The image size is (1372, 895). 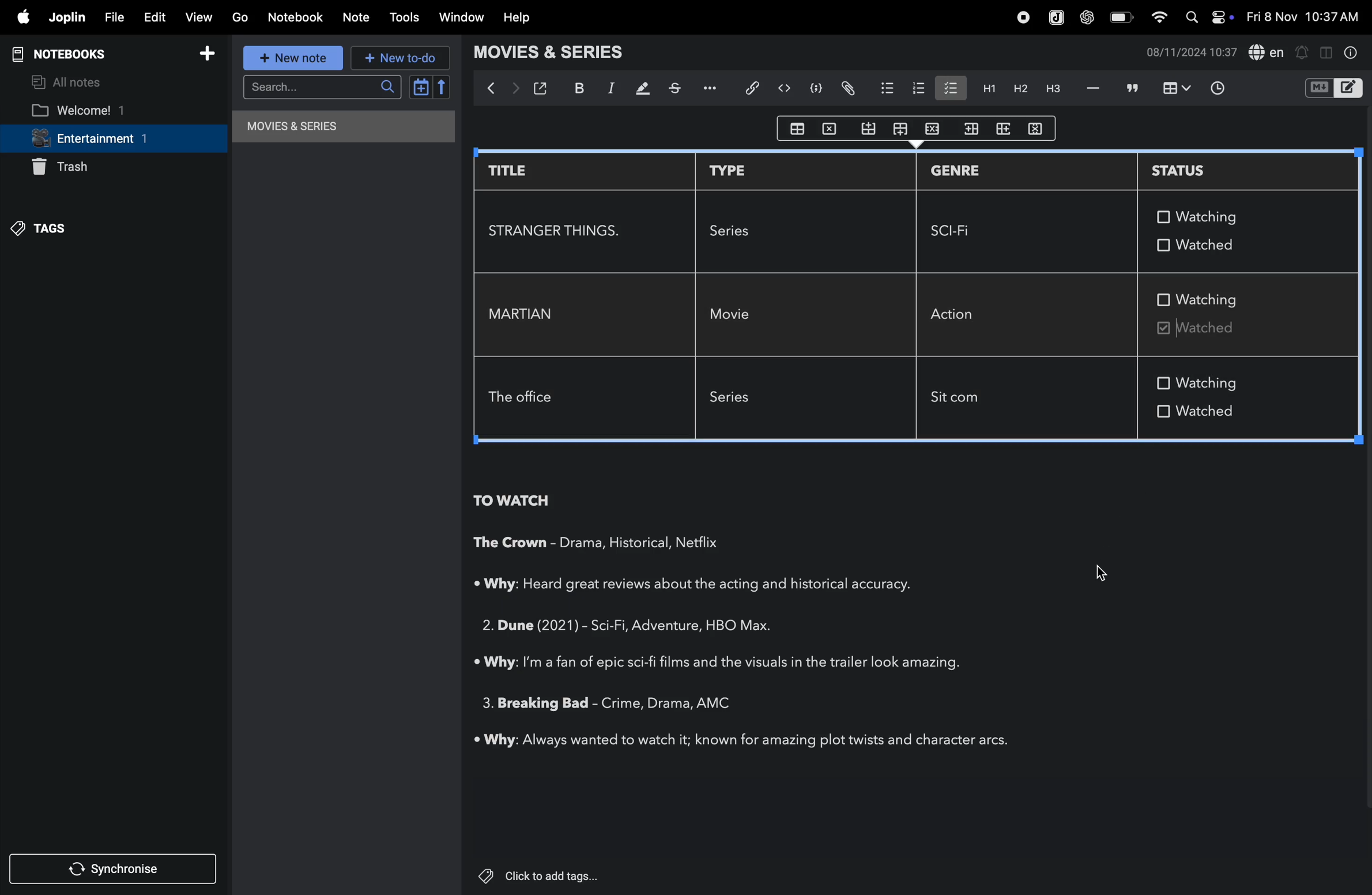 What do you see at coordinates (1212, 330) in the screenshot?
I see `watched` at bounding box center [1212, 330].